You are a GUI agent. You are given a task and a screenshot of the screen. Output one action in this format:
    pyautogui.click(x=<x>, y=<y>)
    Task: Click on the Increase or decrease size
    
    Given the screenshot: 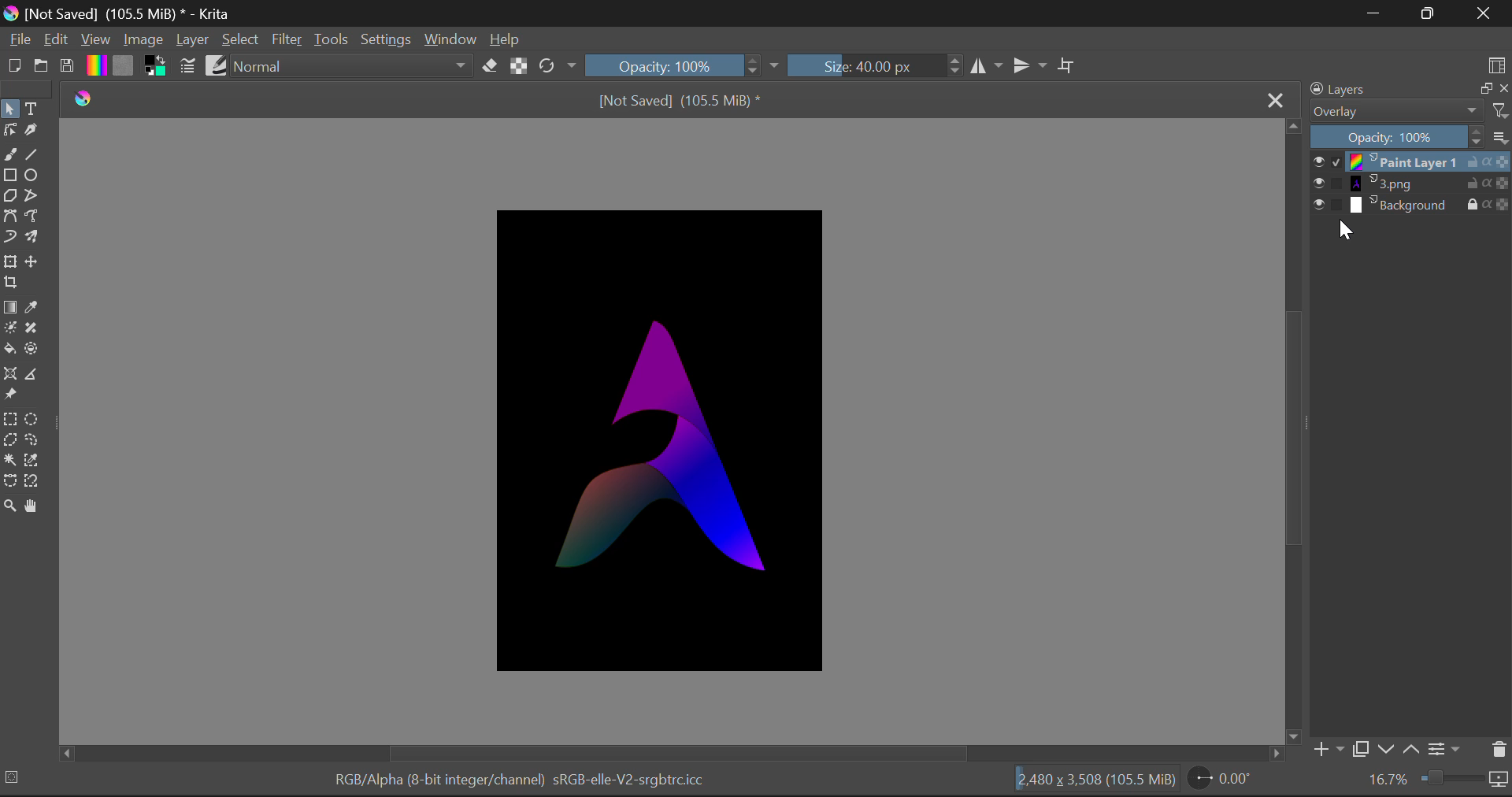 What is the action you would take?
    pyautogui.click(x=952, y=68)
    